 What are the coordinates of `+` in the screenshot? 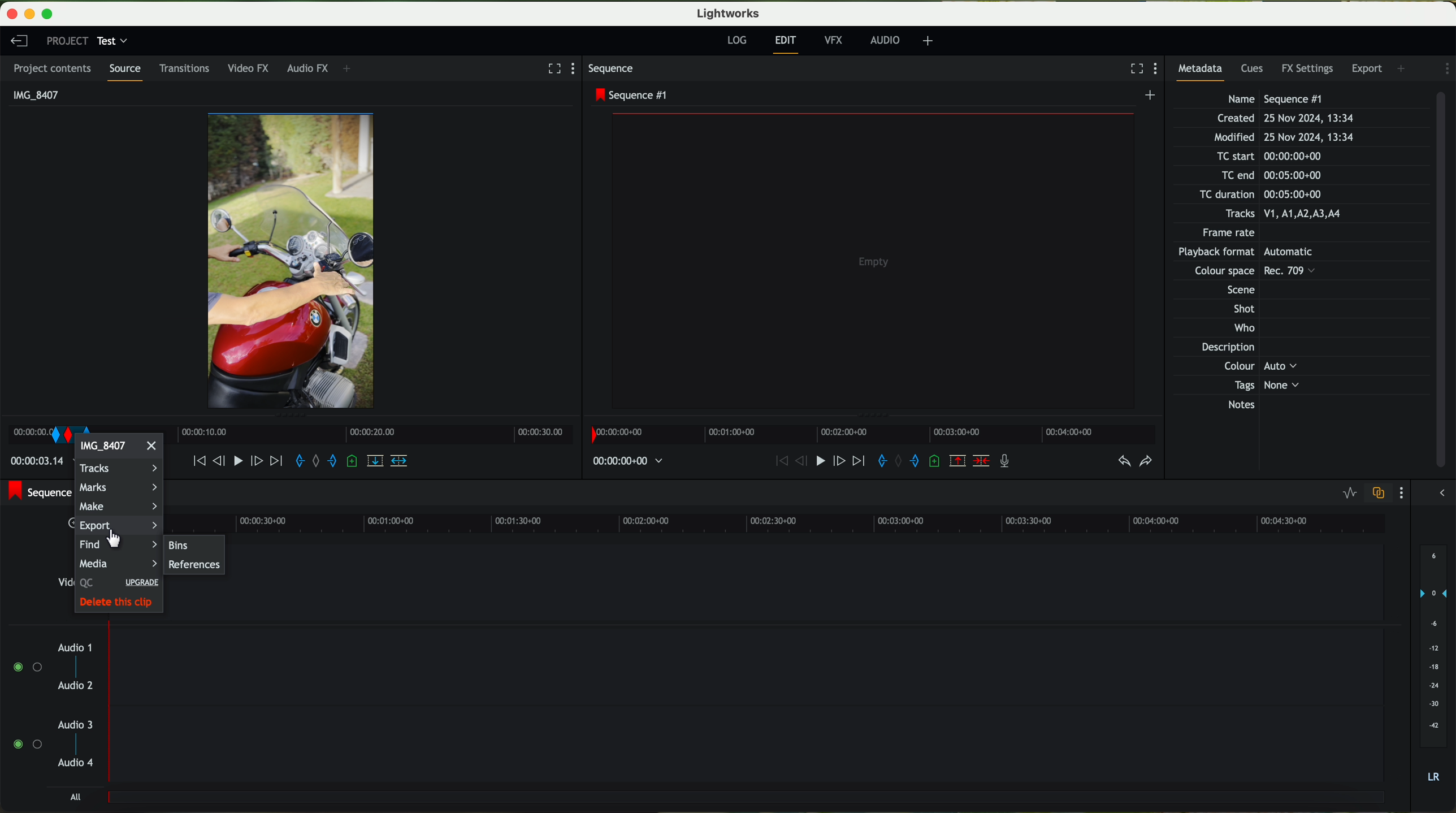 It's located at (351, 70).